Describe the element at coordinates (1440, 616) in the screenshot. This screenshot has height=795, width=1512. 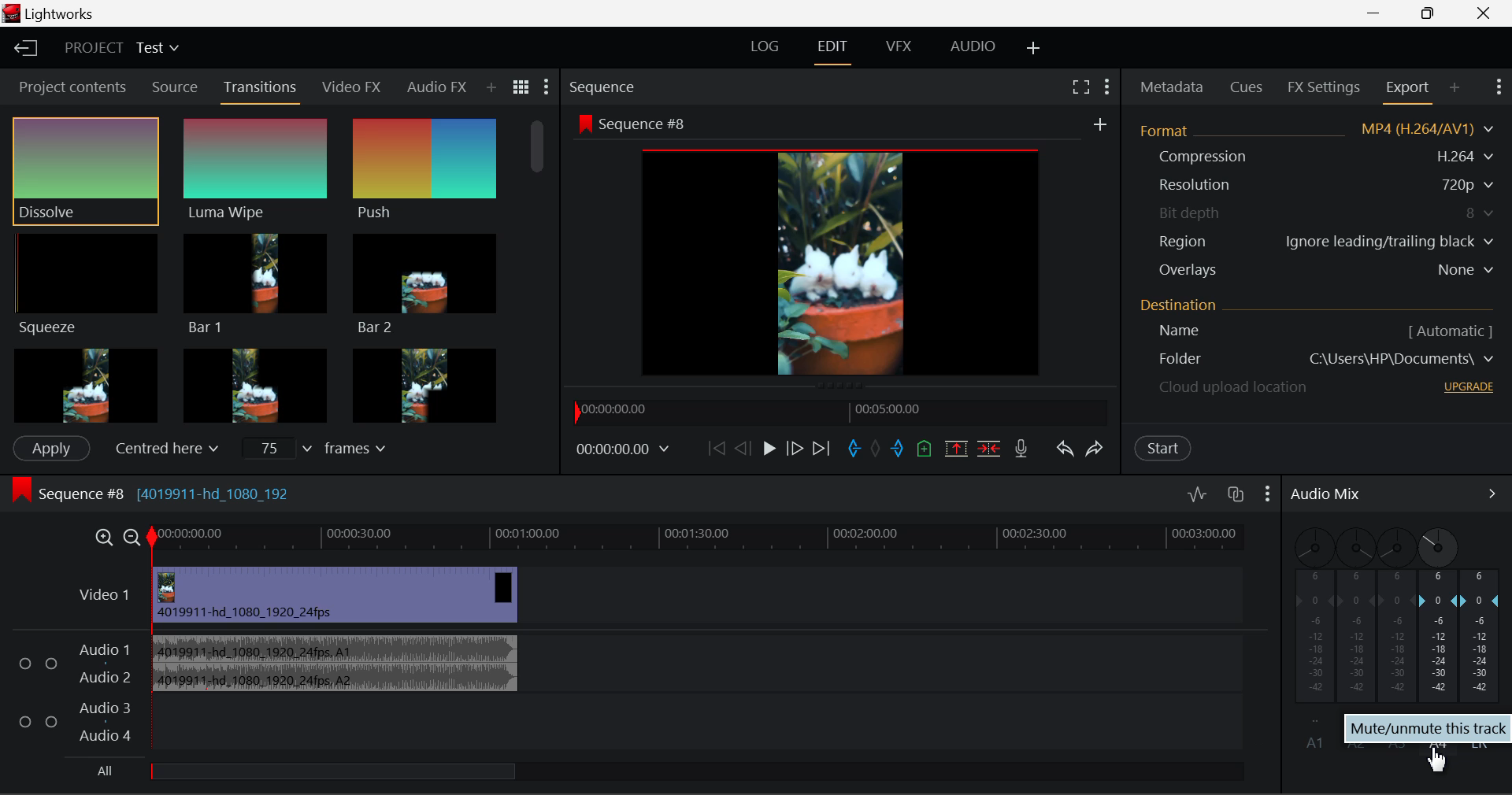
I see `A4 Channel` at that location.